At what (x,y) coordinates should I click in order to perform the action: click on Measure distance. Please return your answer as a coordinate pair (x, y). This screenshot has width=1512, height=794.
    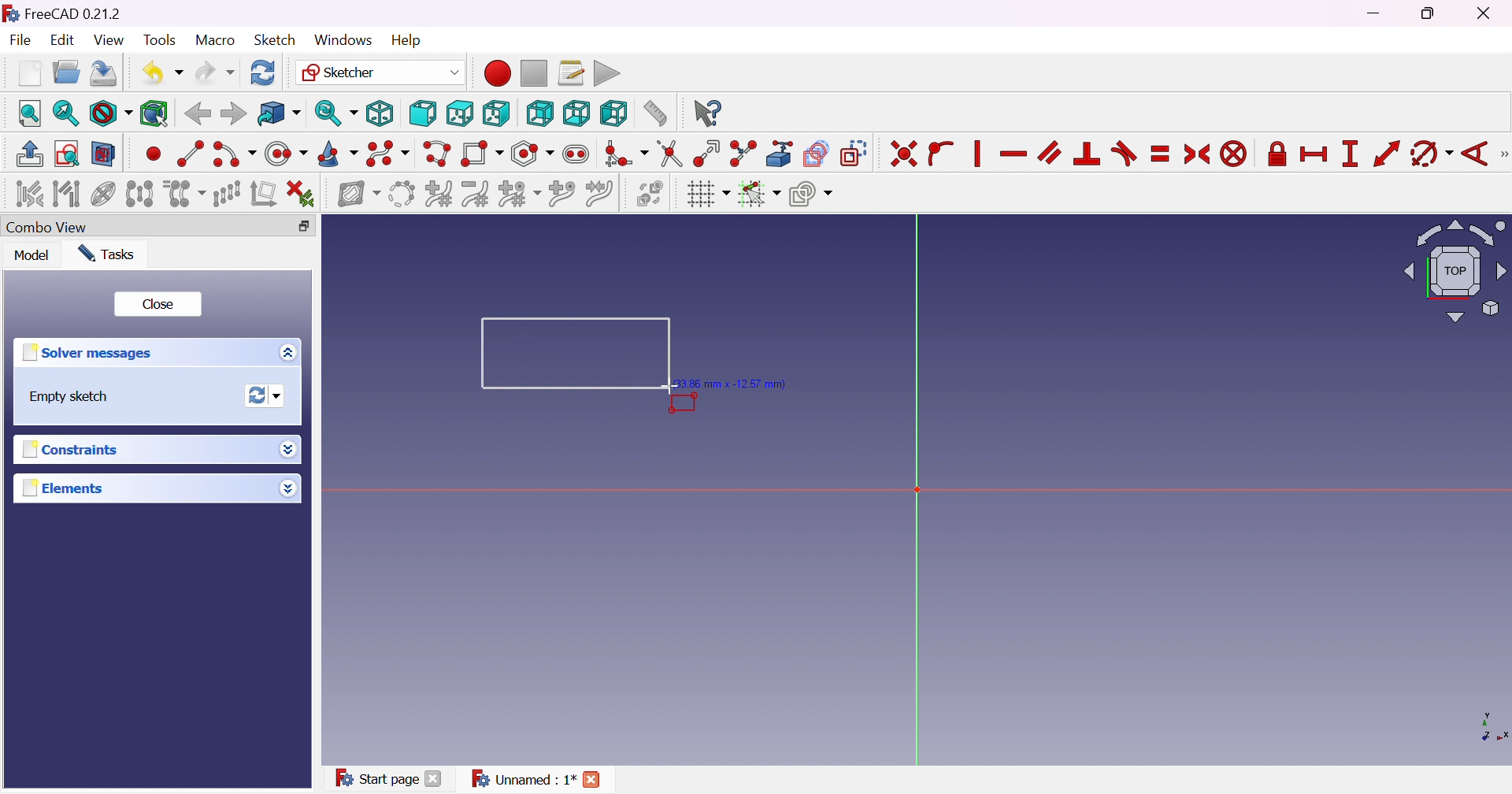
    Looking at the image, I should click on (654, 113).